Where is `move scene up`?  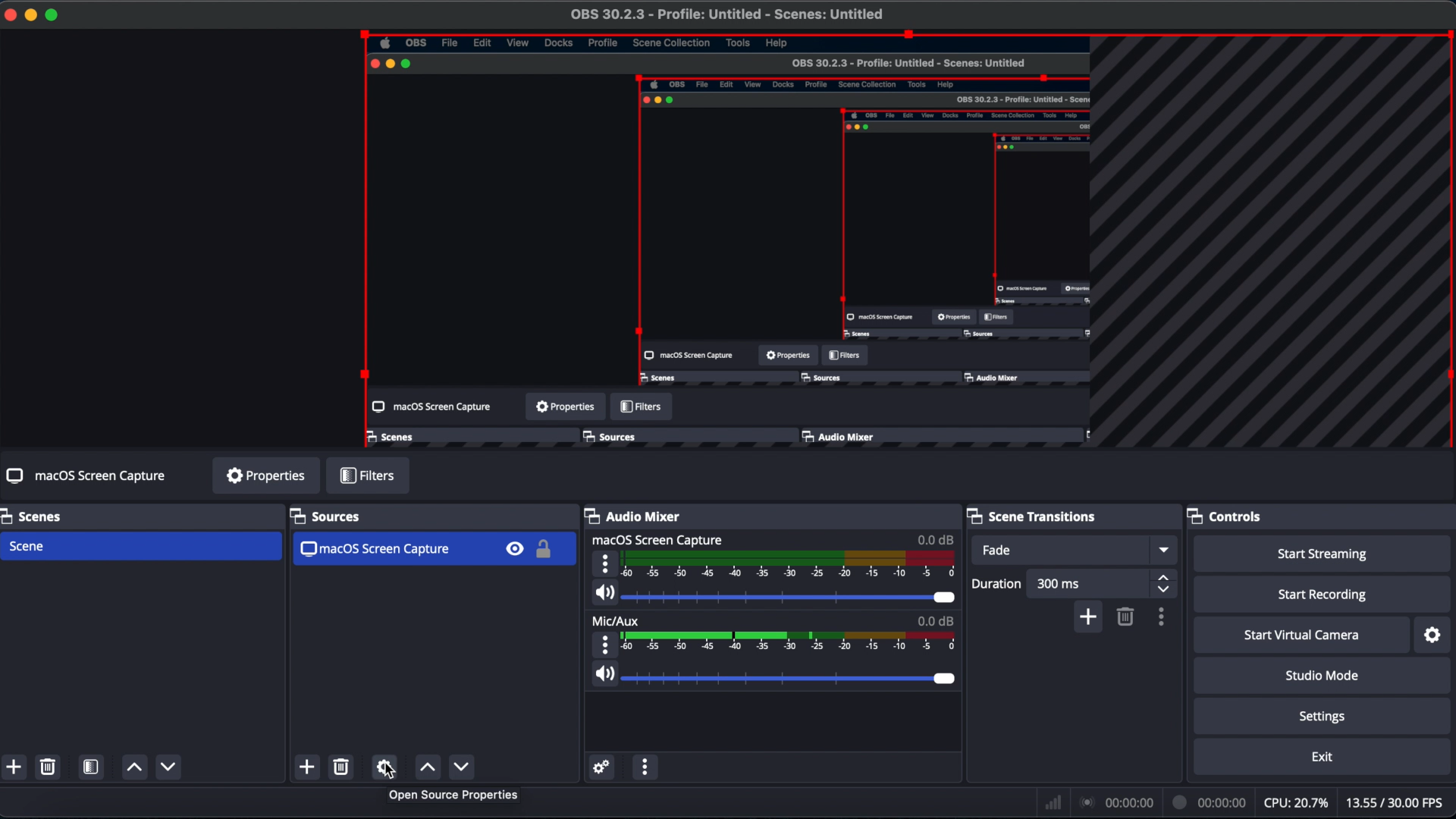
move scene up is located at coordinates (133, 767).